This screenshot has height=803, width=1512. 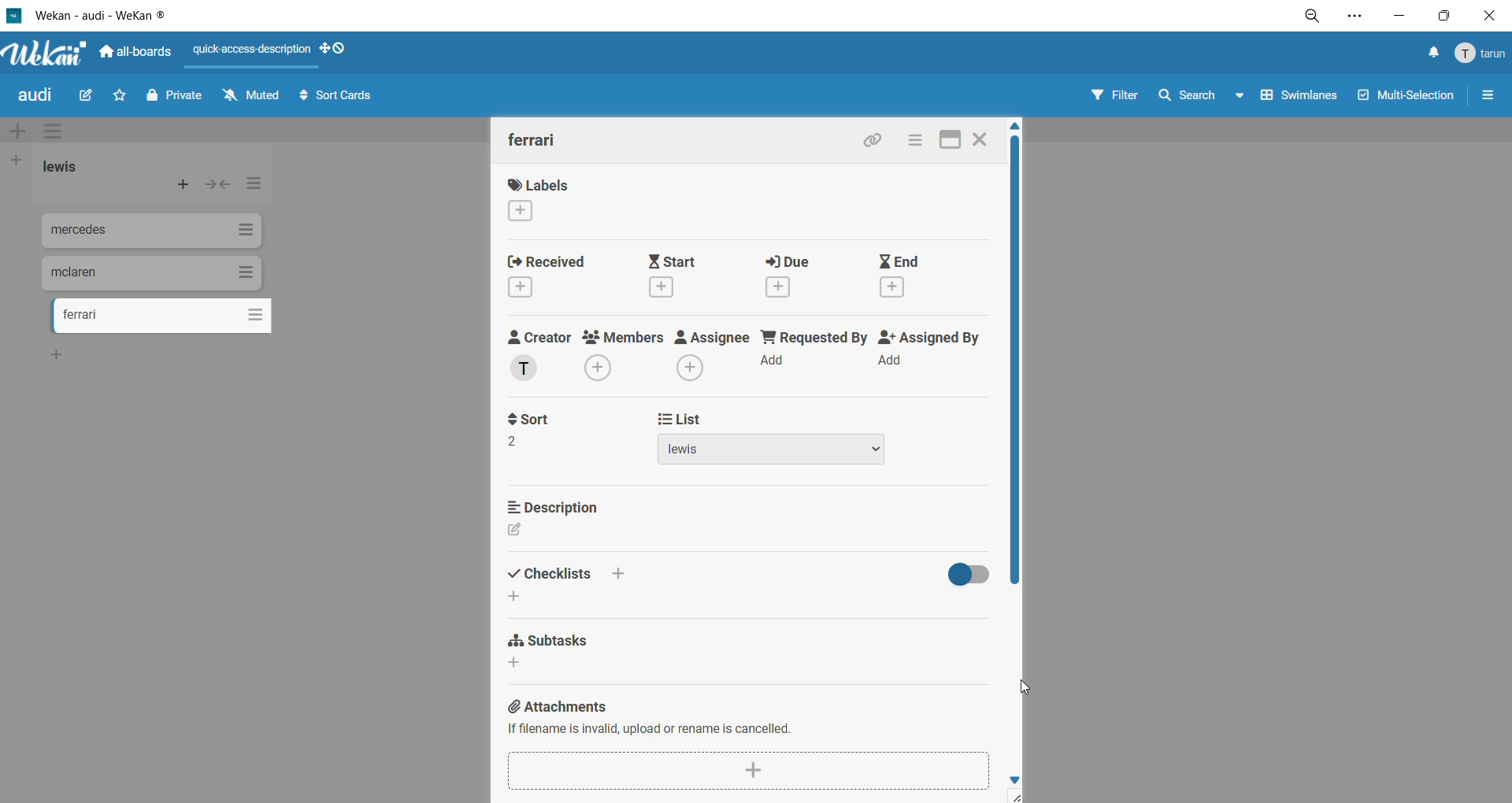 I want to click on add attachment, so click(x=747, y=768).